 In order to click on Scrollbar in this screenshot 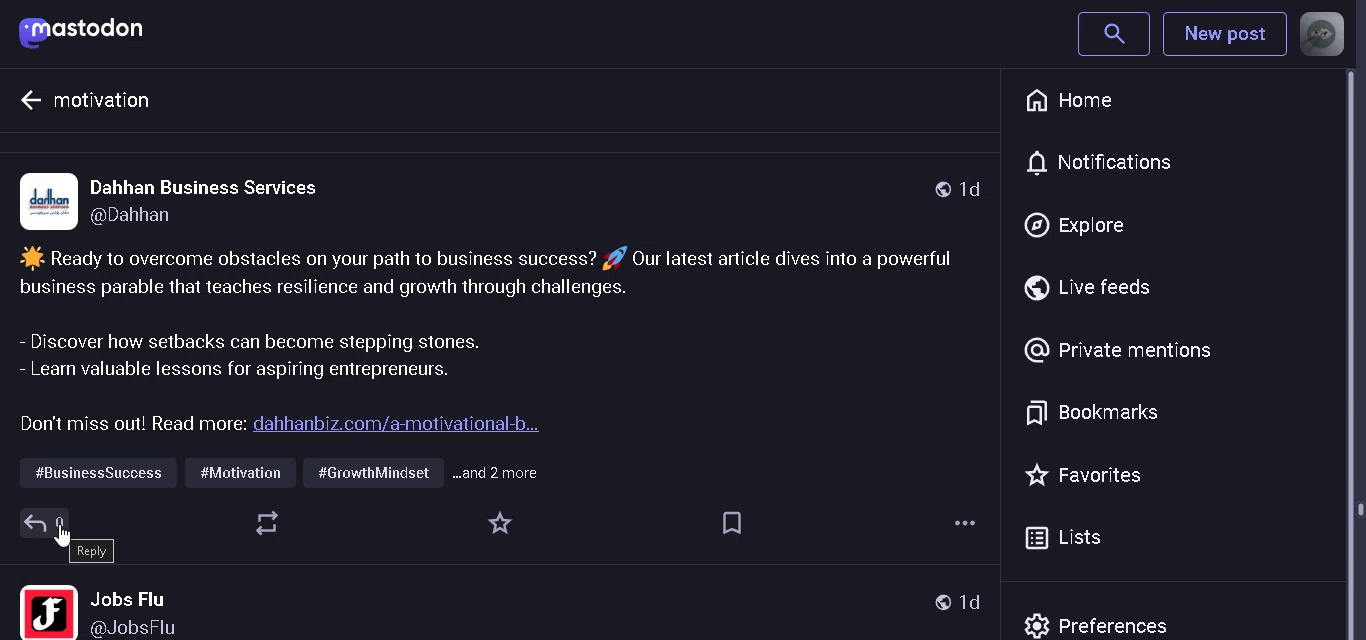, I will do `click(1358, 355)`.